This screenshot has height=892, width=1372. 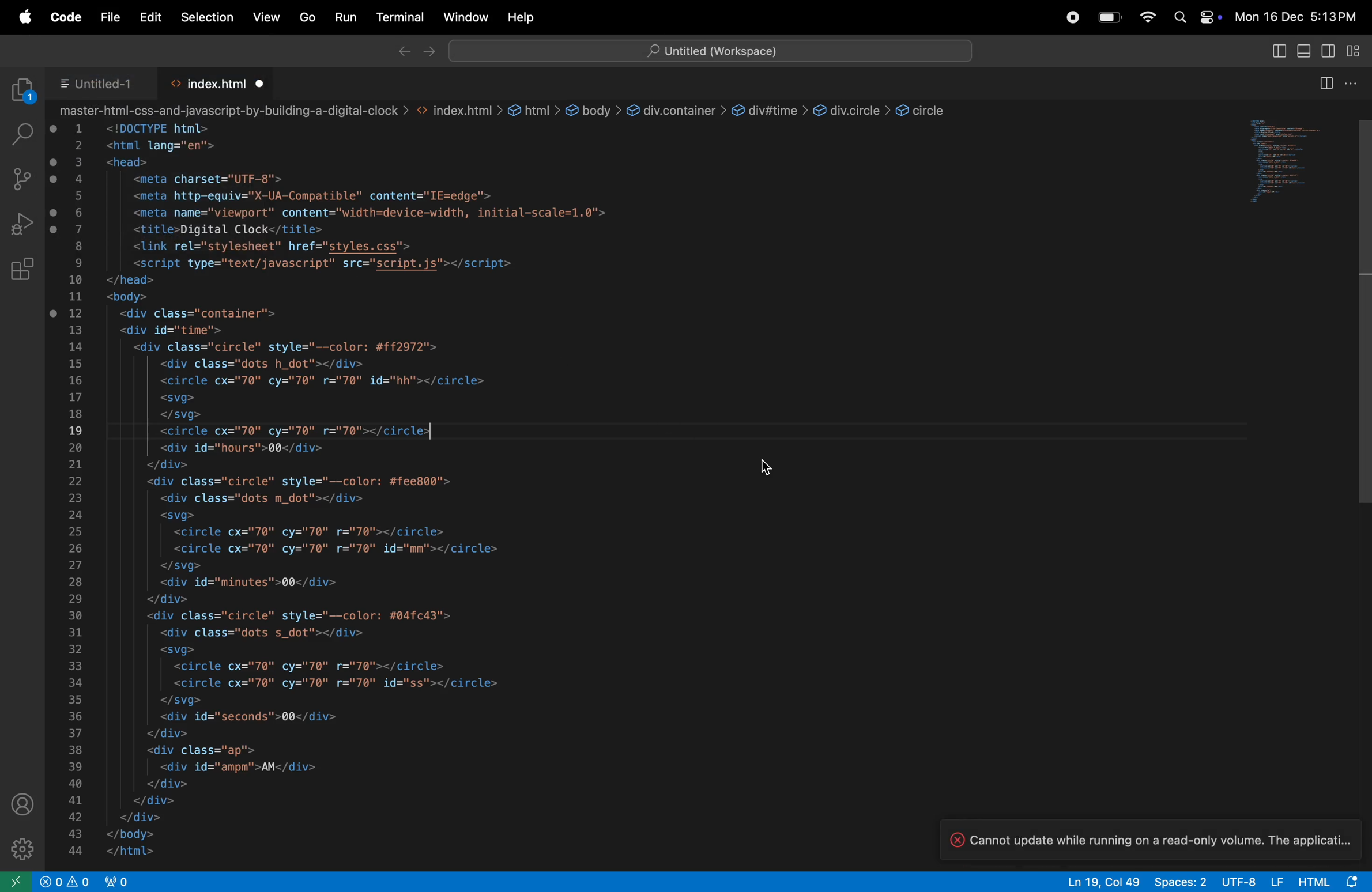 What do you see at coordinates (133, 833) in the screenshot?
I see `</body>` at bounding box center [133, 833].